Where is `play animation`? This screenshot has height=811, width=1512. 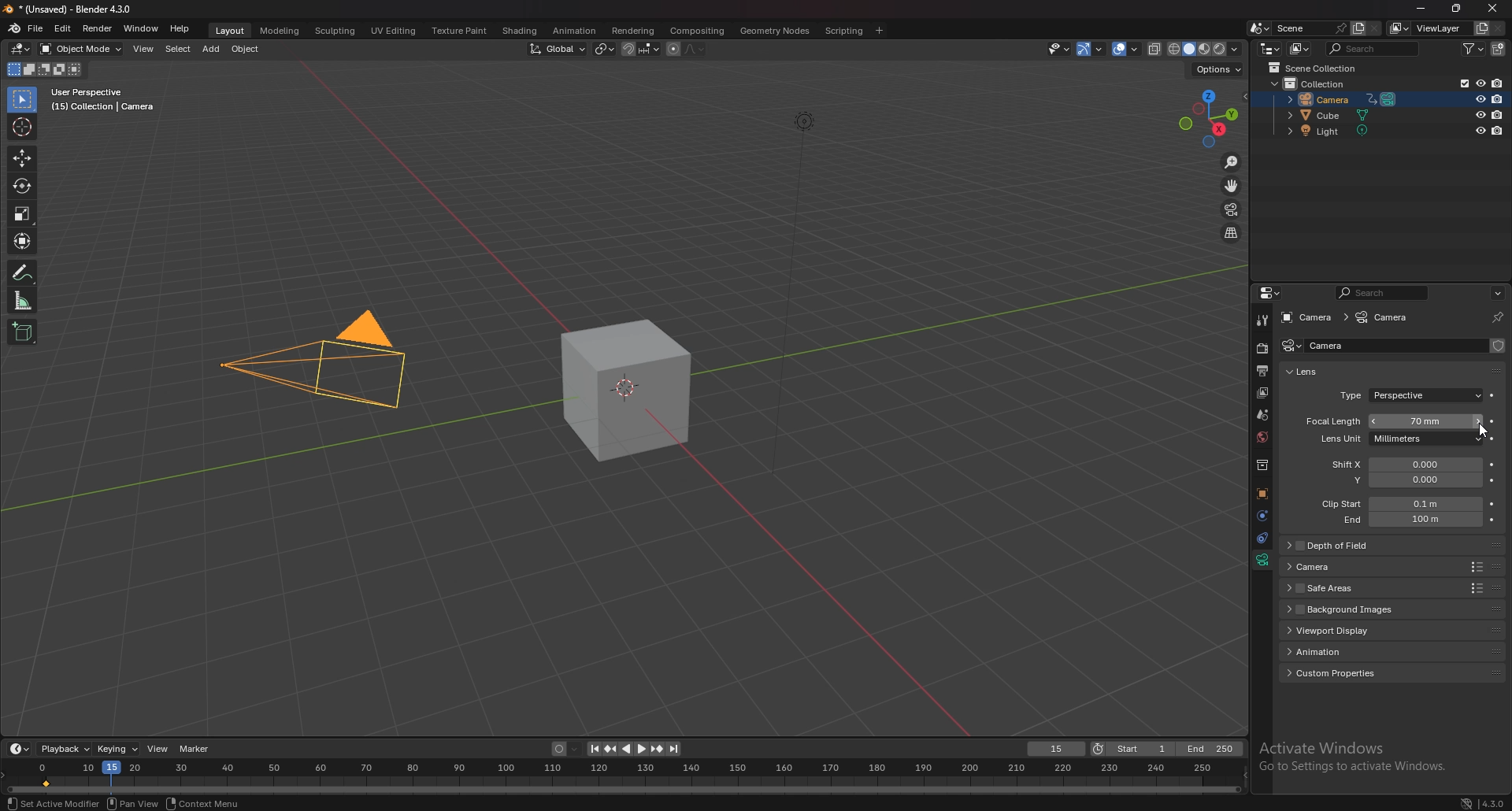
play animation is located at coordinates (635, 749).